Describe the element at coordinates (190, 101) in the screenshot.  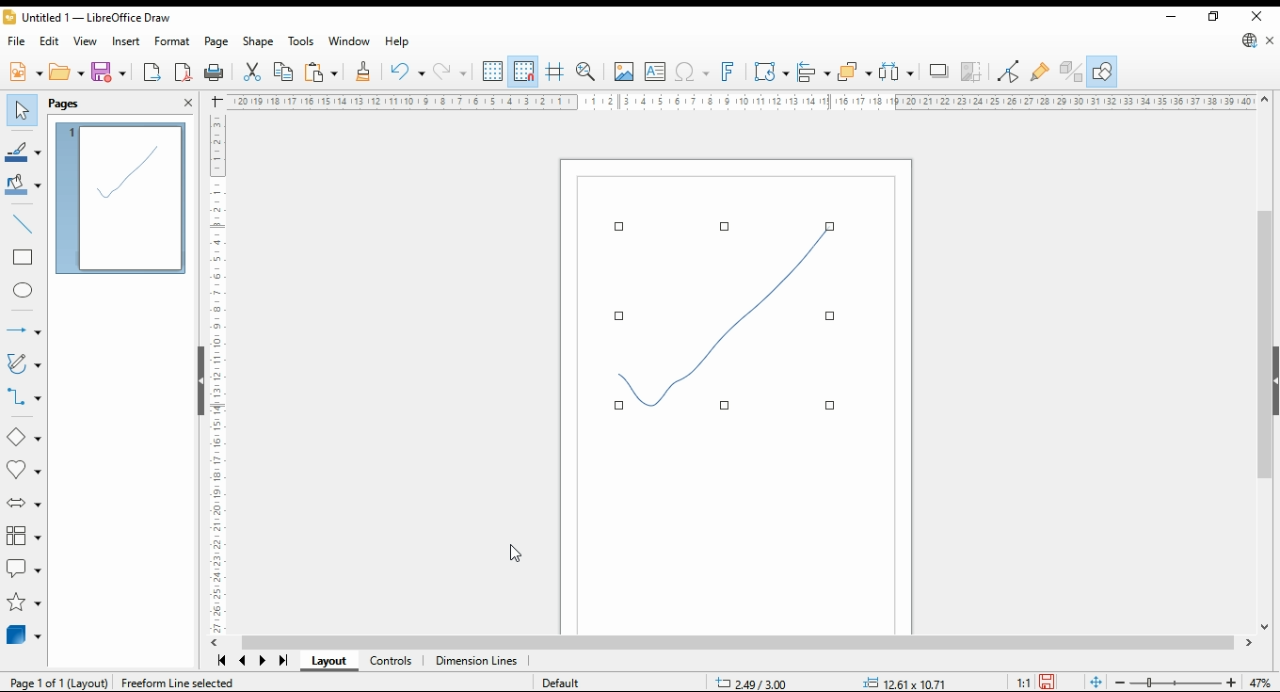
I see `close pane` at that location.